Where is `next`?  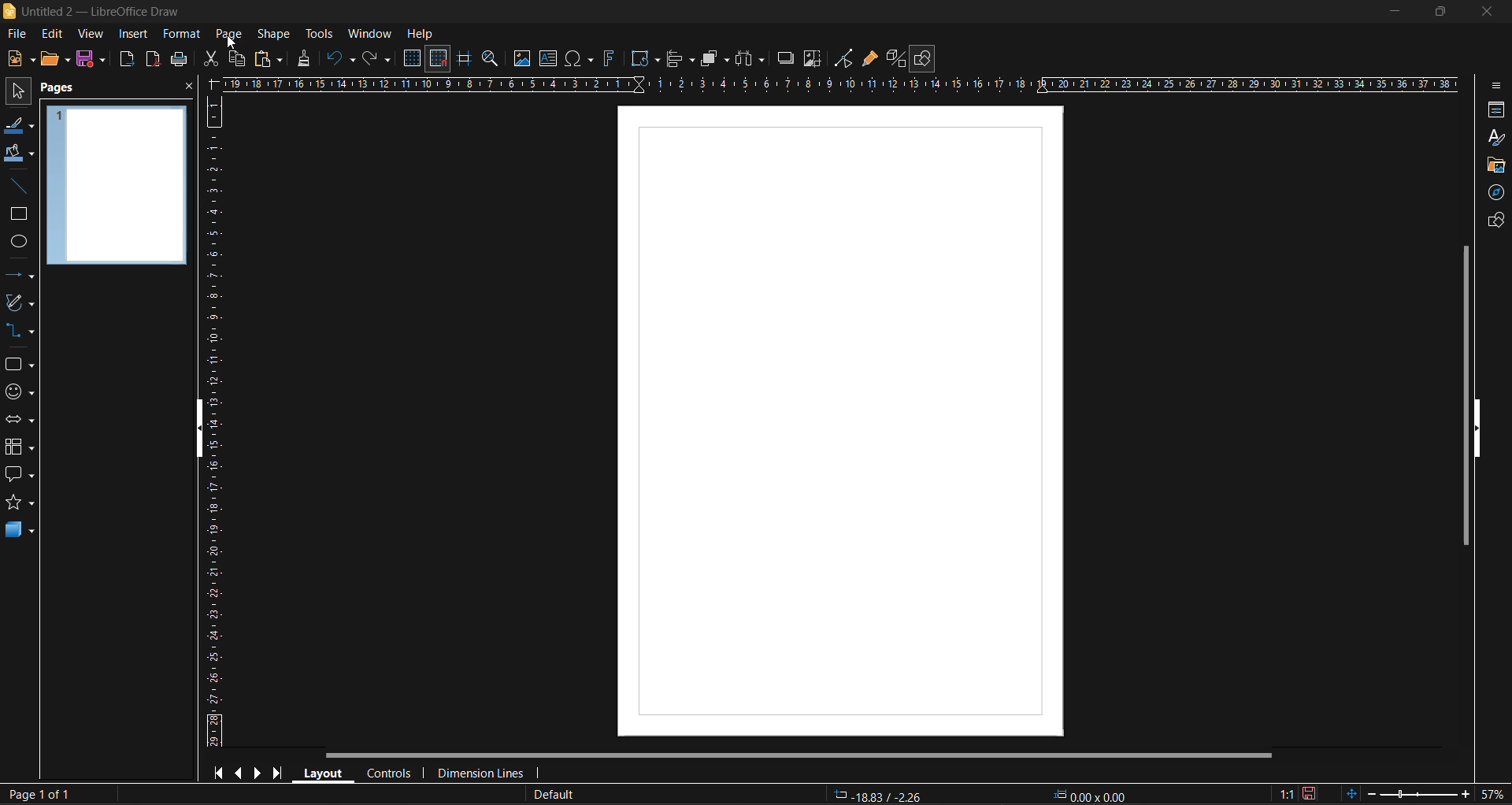 next is located at coordinates (260, 773).